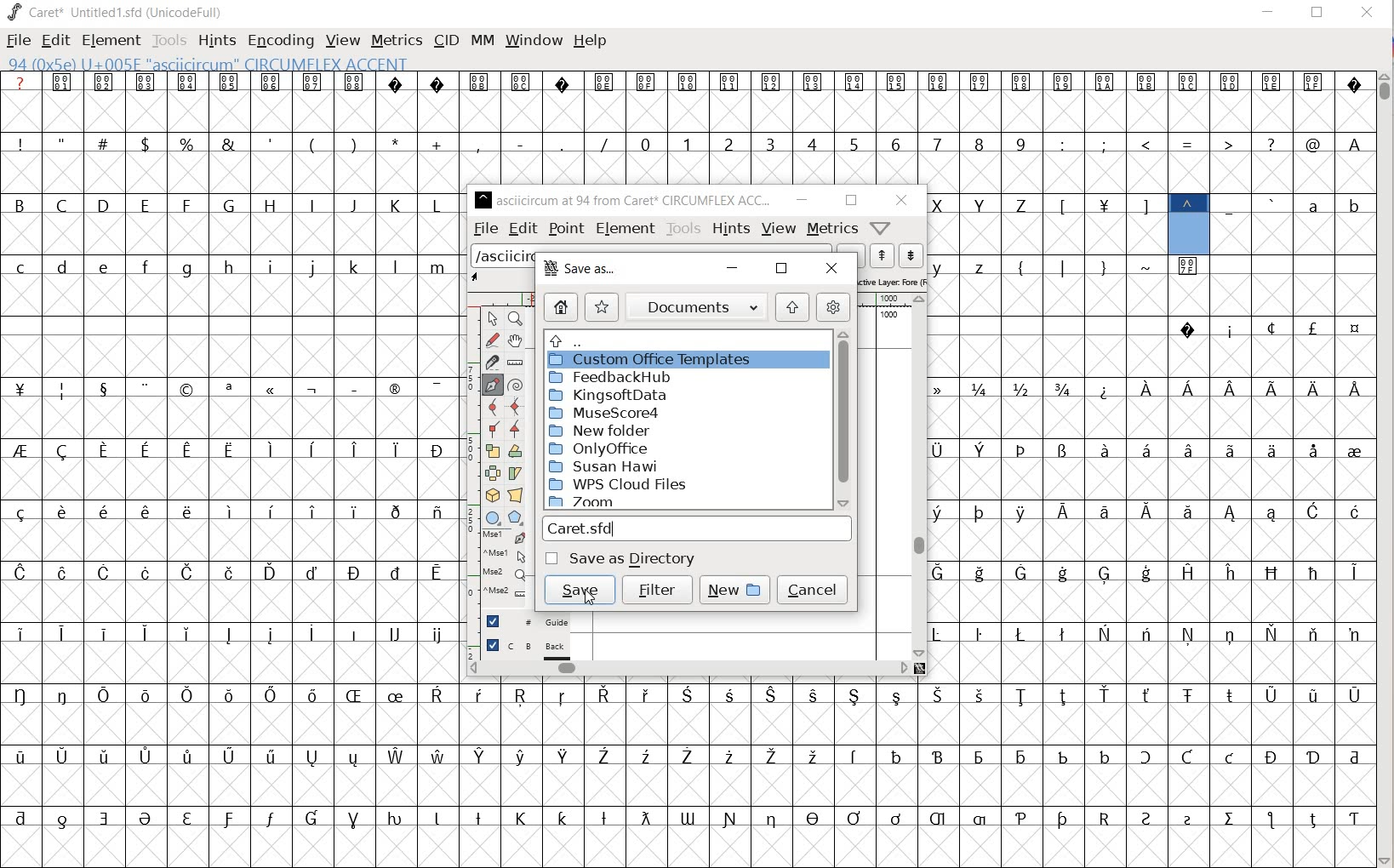  What do you see at coordinates (658, 591) in the screenshot?
I see `filter` at bounding box center [658, 591].